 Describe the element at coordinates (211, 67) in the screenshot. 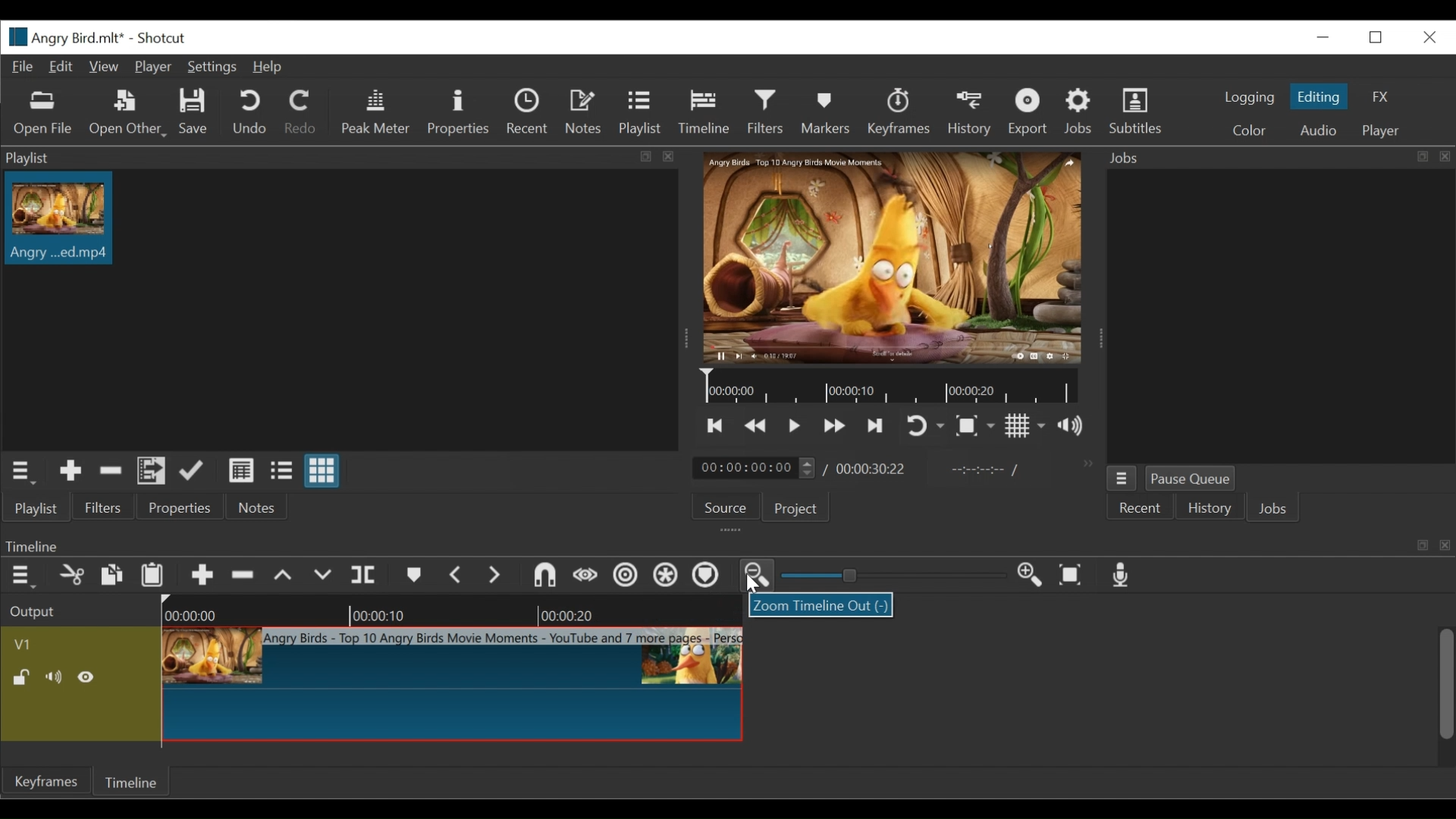

I see `Settings` at that location.